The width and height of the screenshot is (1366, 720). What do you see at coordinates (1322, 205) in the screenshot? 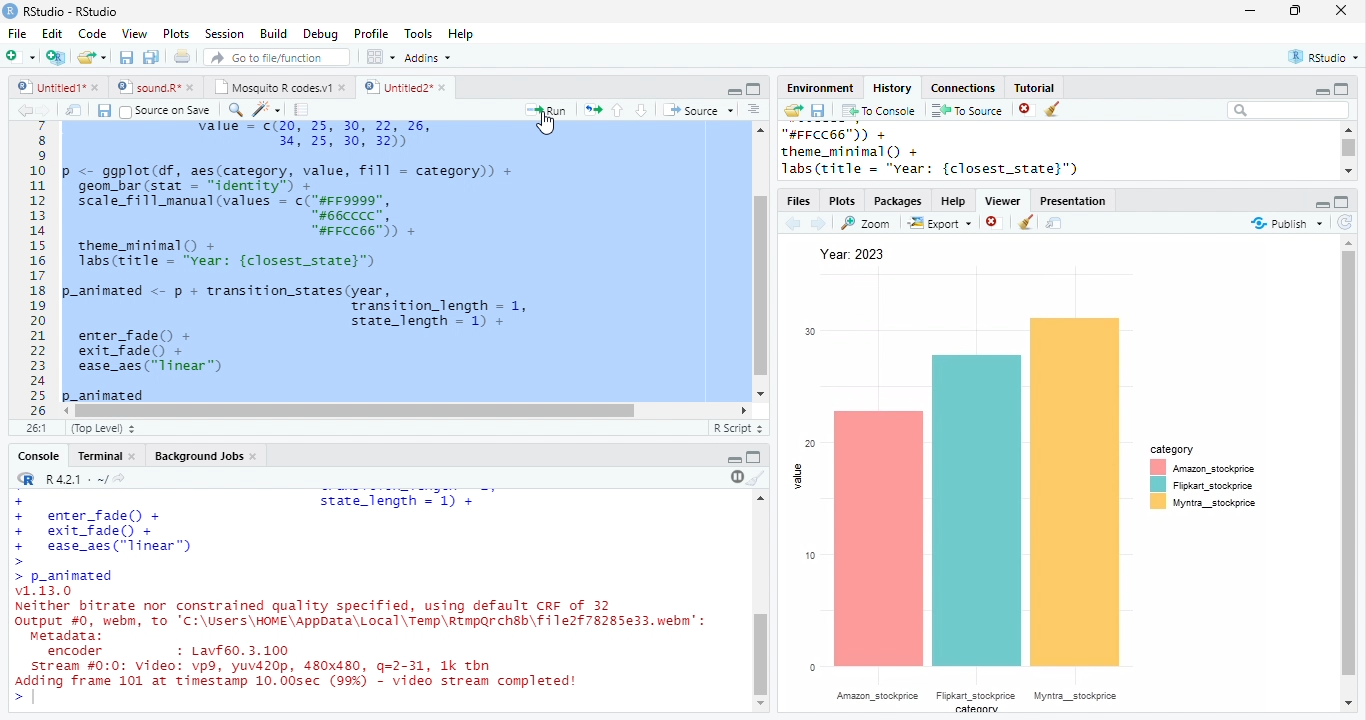
I see `minimize` at bounding box center [1322, 205].